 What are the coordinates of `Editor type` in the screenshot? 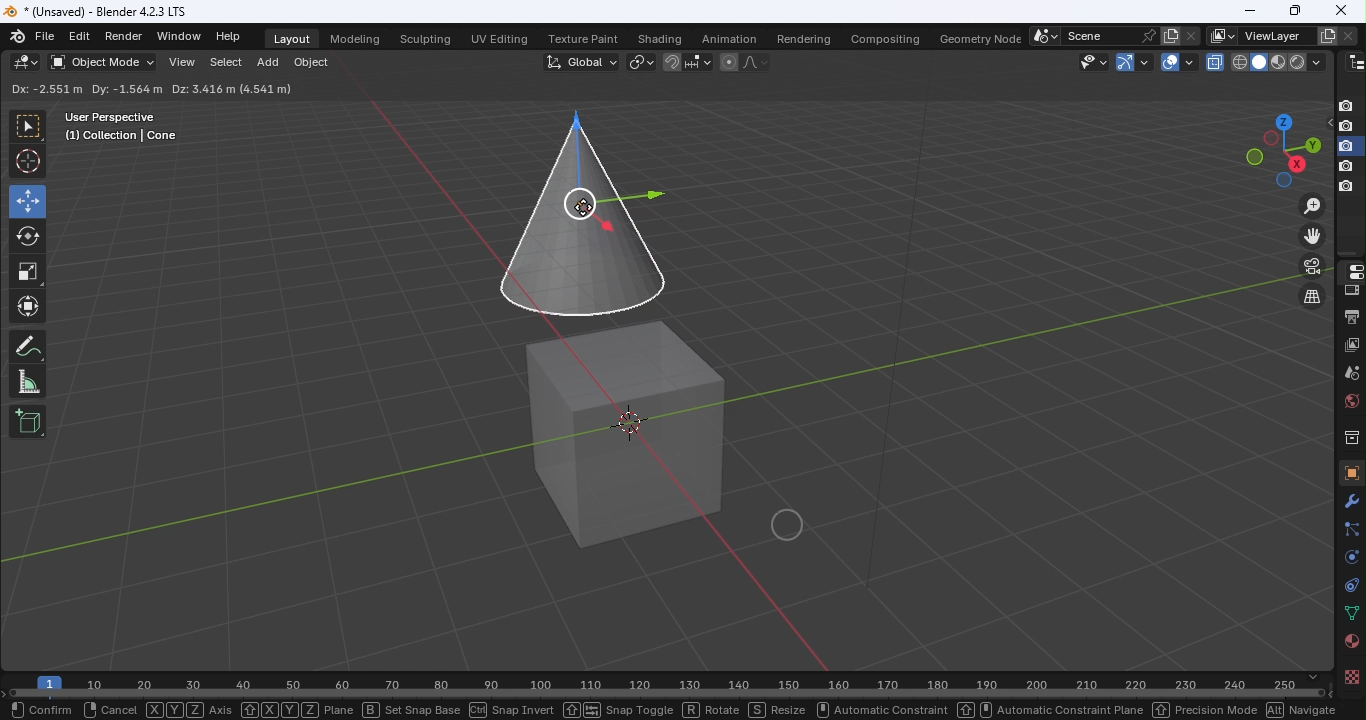 It's located at (1356, 60).